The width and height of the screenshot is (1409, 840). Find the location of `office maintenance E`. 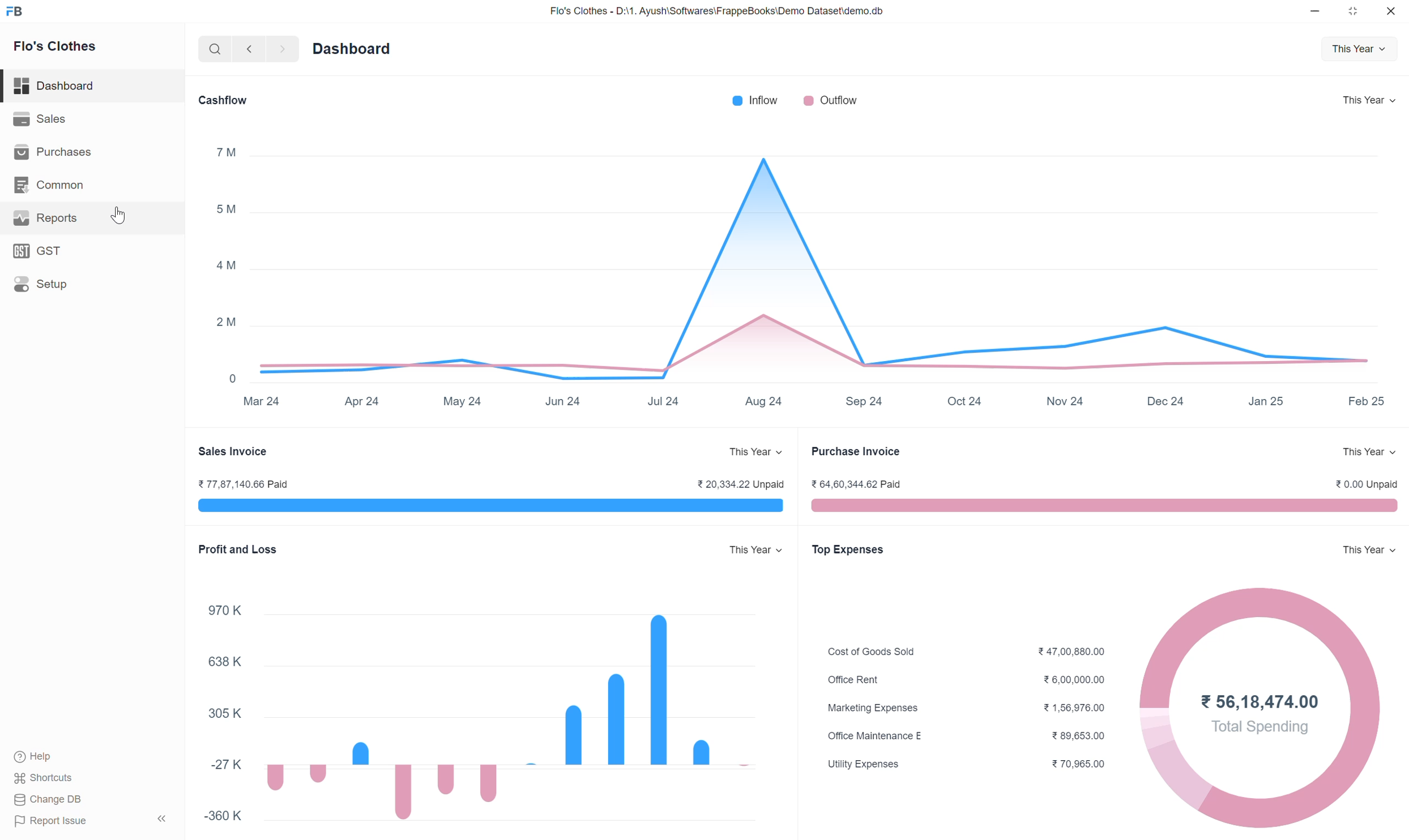

office maintenance E is located at coordinates (877, 735).